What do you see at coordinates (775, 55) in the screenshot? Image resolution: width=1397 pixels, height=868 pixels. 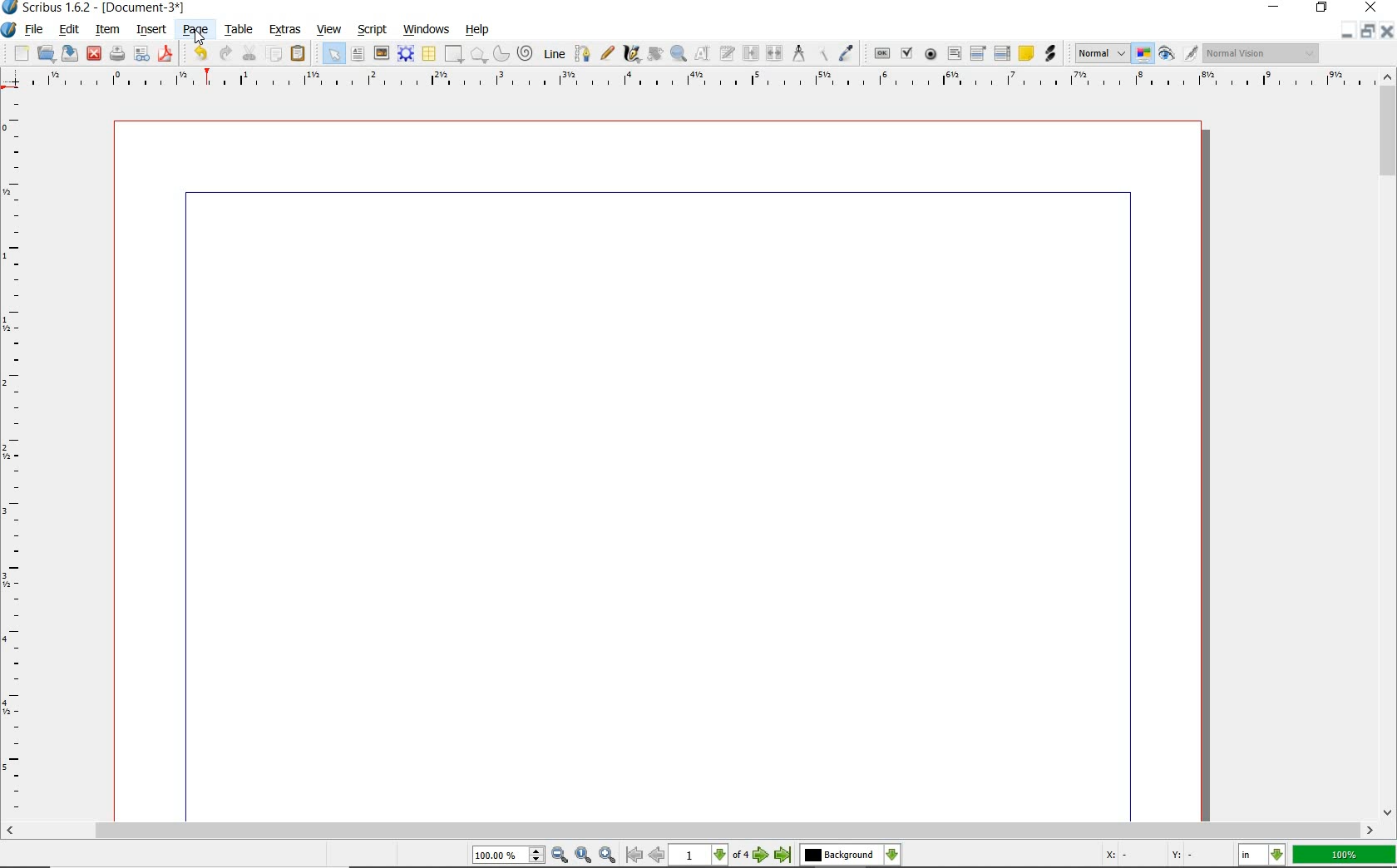 I see `unlink text frames` at bounding box center [775, 55].